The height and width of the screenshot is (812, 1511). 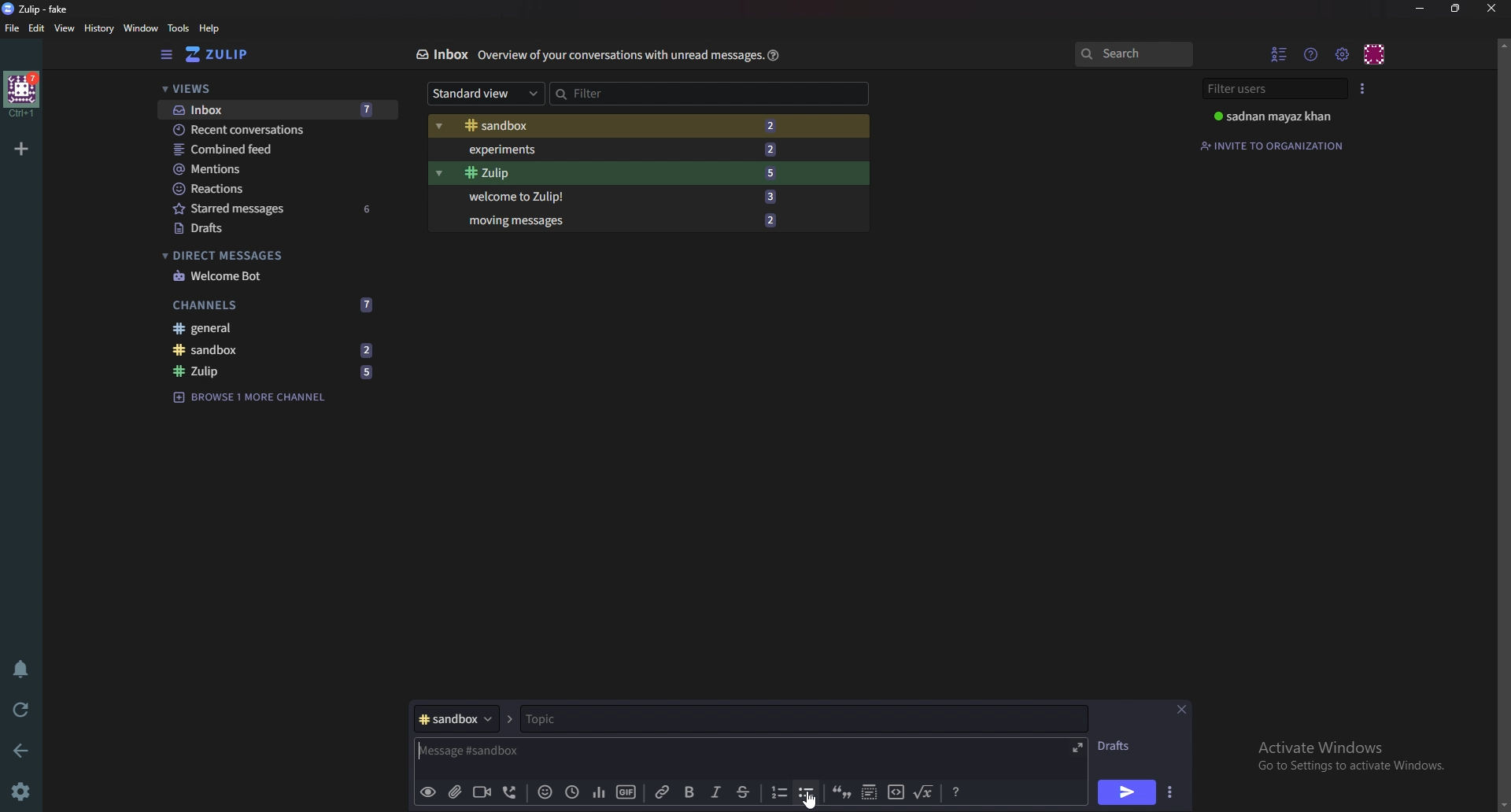 I want to click on Global time, so click(x=571, y=792).